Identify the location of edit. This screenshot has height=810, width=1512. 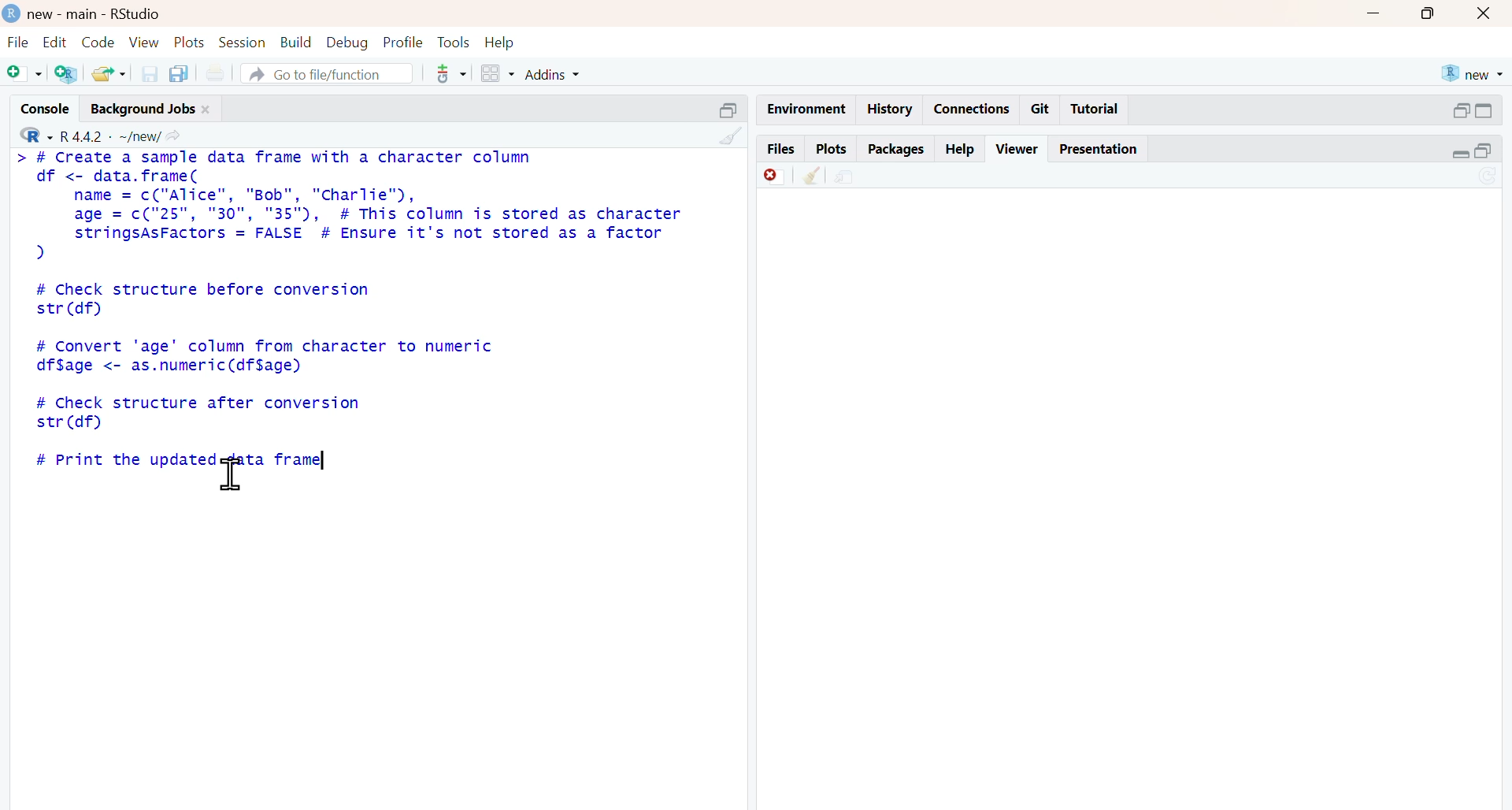
(55, 43).